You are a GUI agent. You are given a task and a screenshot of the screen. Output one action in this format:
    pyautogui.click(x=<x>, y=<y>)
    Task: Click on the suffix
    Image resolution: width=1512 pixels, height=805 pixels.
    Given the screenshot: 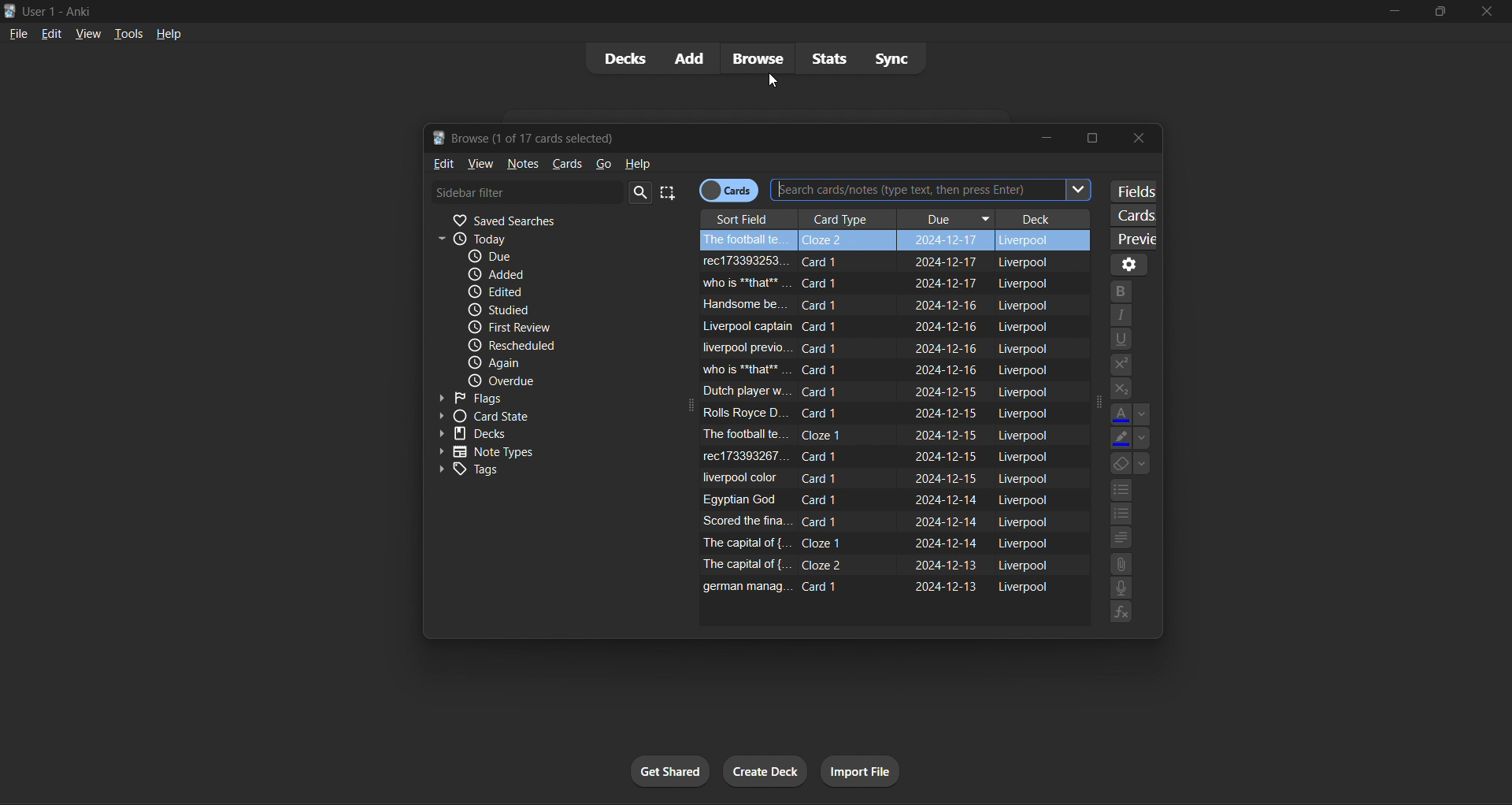 What is the action you would take?
    pyautogui.click(x=1120, y=365)
    